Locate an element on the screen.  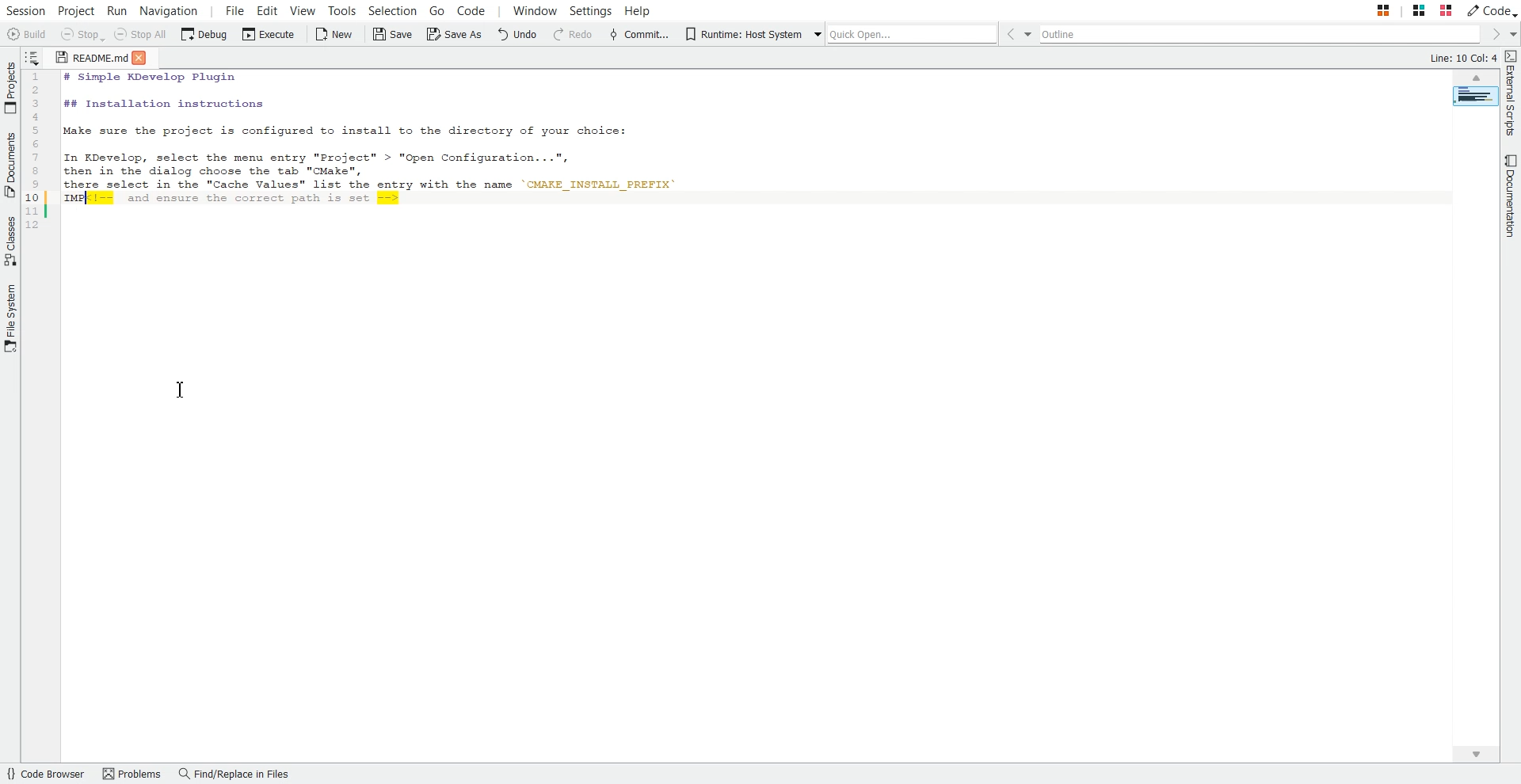
Text Cursor is located at coordinates (184, 390).